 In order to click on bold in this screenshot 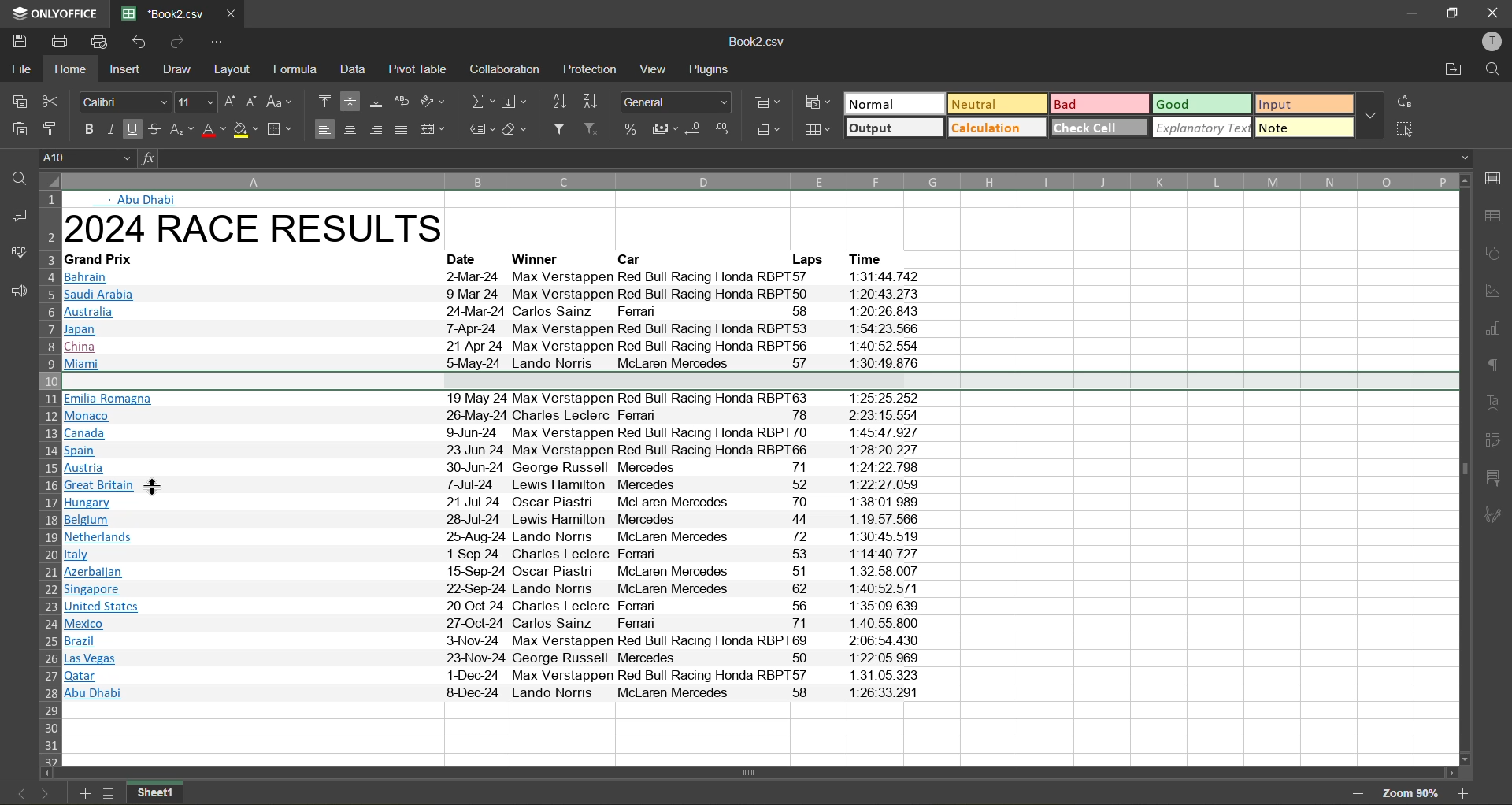, I will do `click(88, 129)`.